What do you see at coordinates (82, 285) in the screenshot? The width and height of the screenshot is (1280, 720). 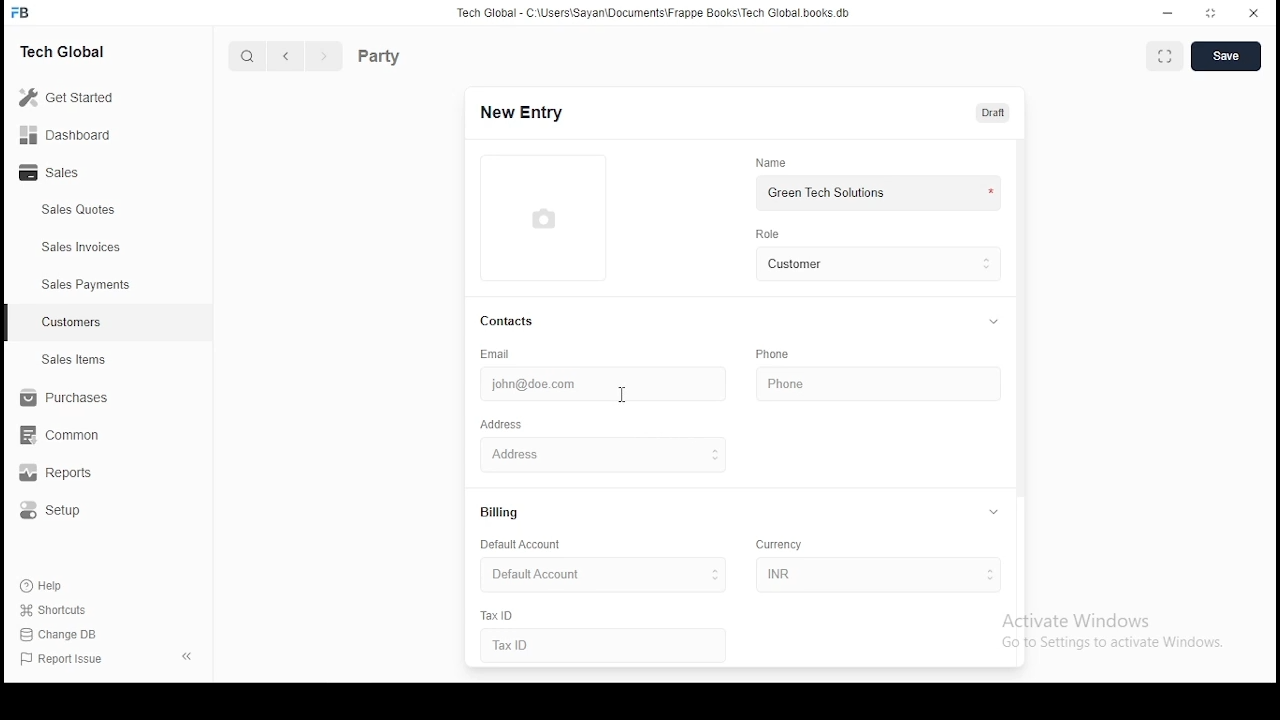 I see `sales payments` at bounding box center [82, 285].